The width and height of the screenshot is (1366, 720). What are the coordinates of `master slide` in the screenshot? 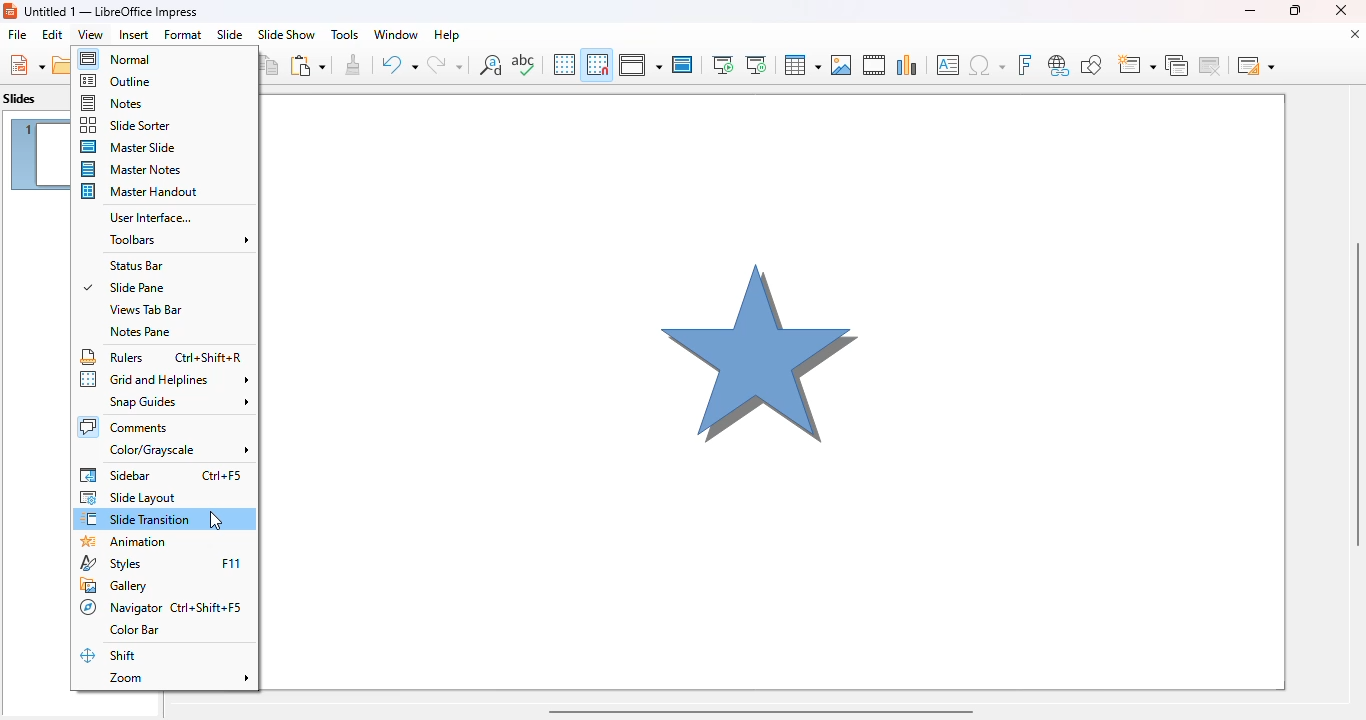 It's located at (683, 64).